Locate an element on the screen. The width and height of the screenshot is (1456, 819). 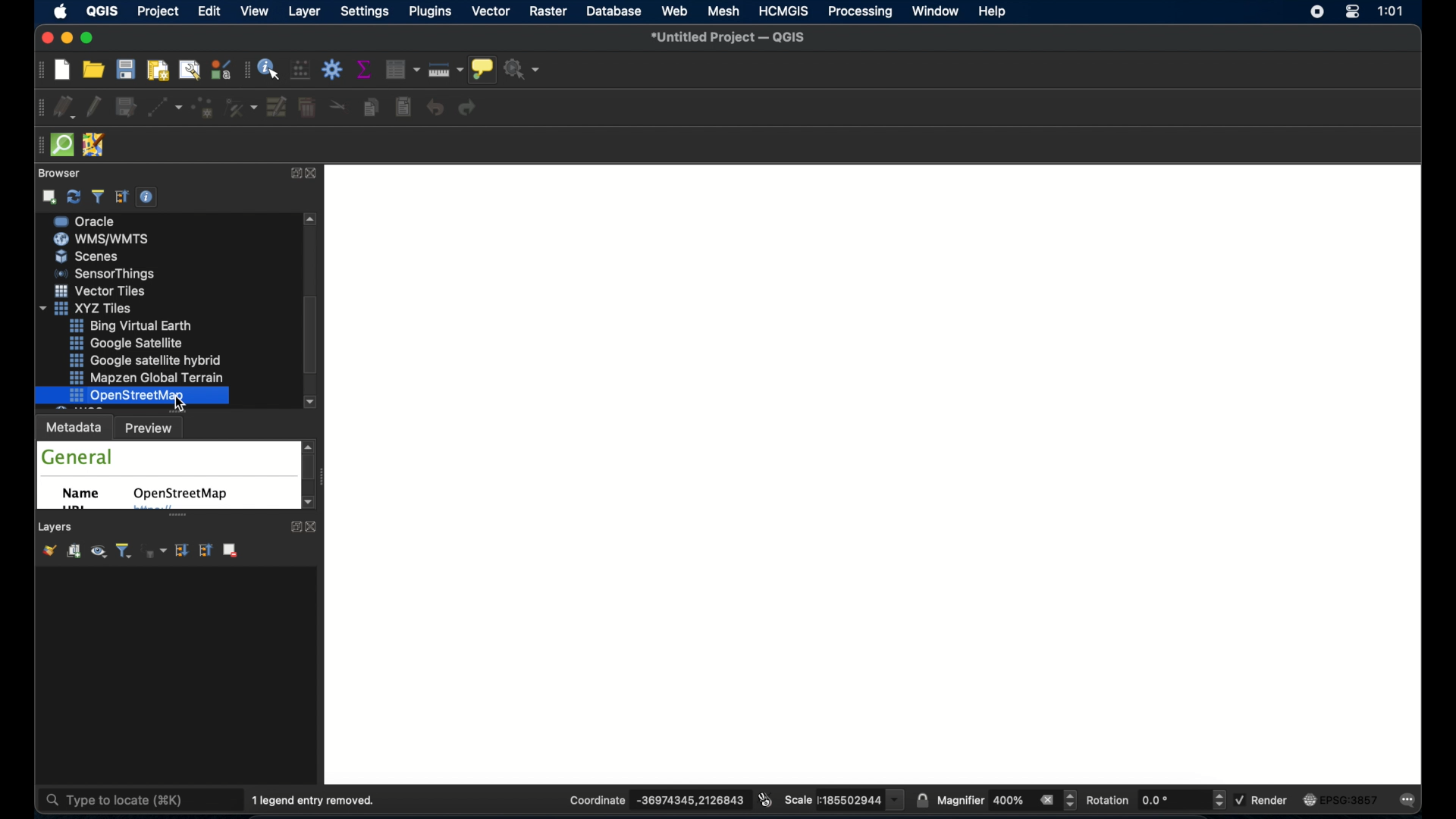
openstreetmap is located at coordinates (180, 494).